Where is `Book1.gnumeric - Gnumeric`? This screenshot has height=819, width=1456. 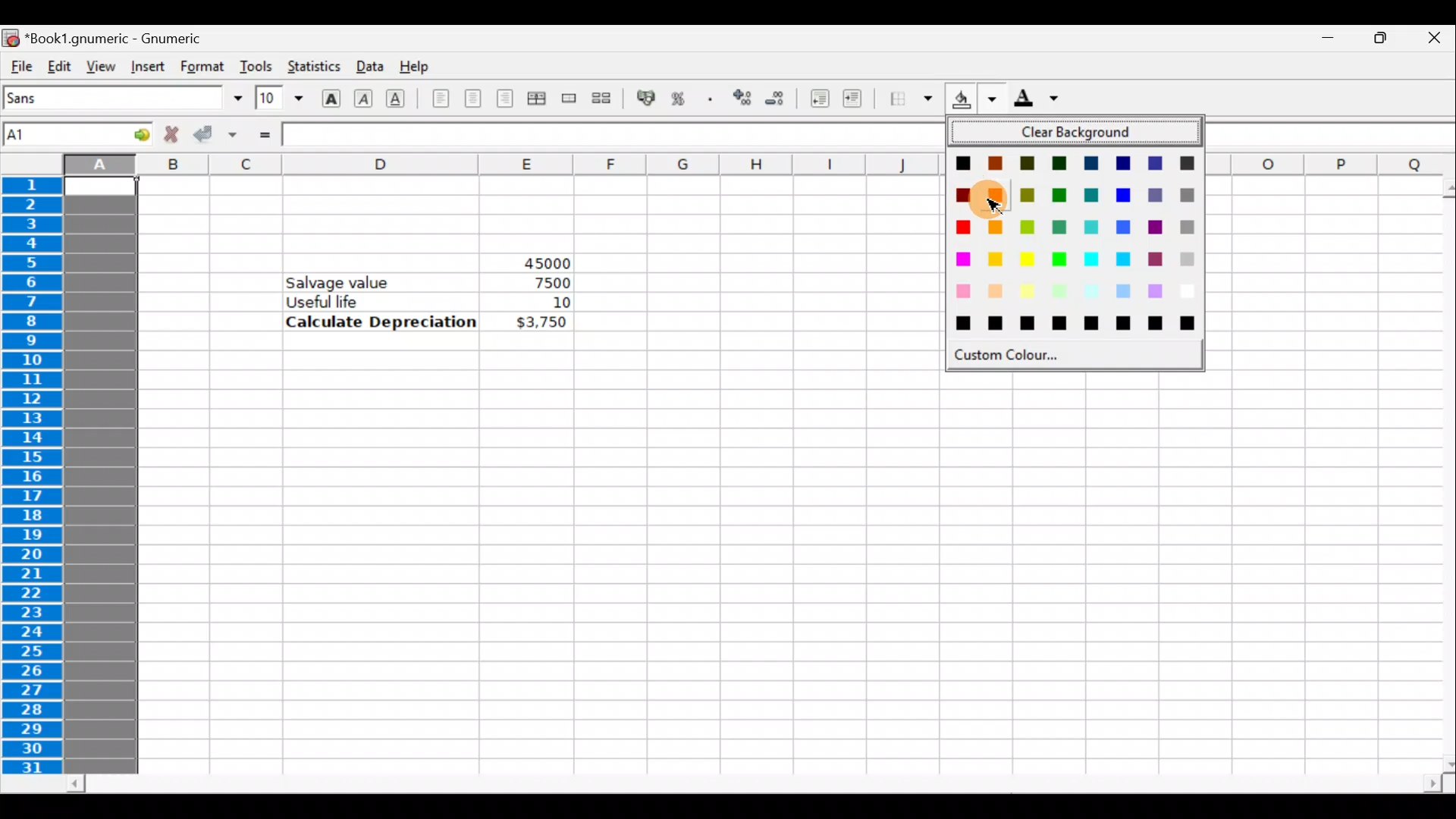 Book1.gnumeric - Gnumeric is located at coordinates (122, 37).